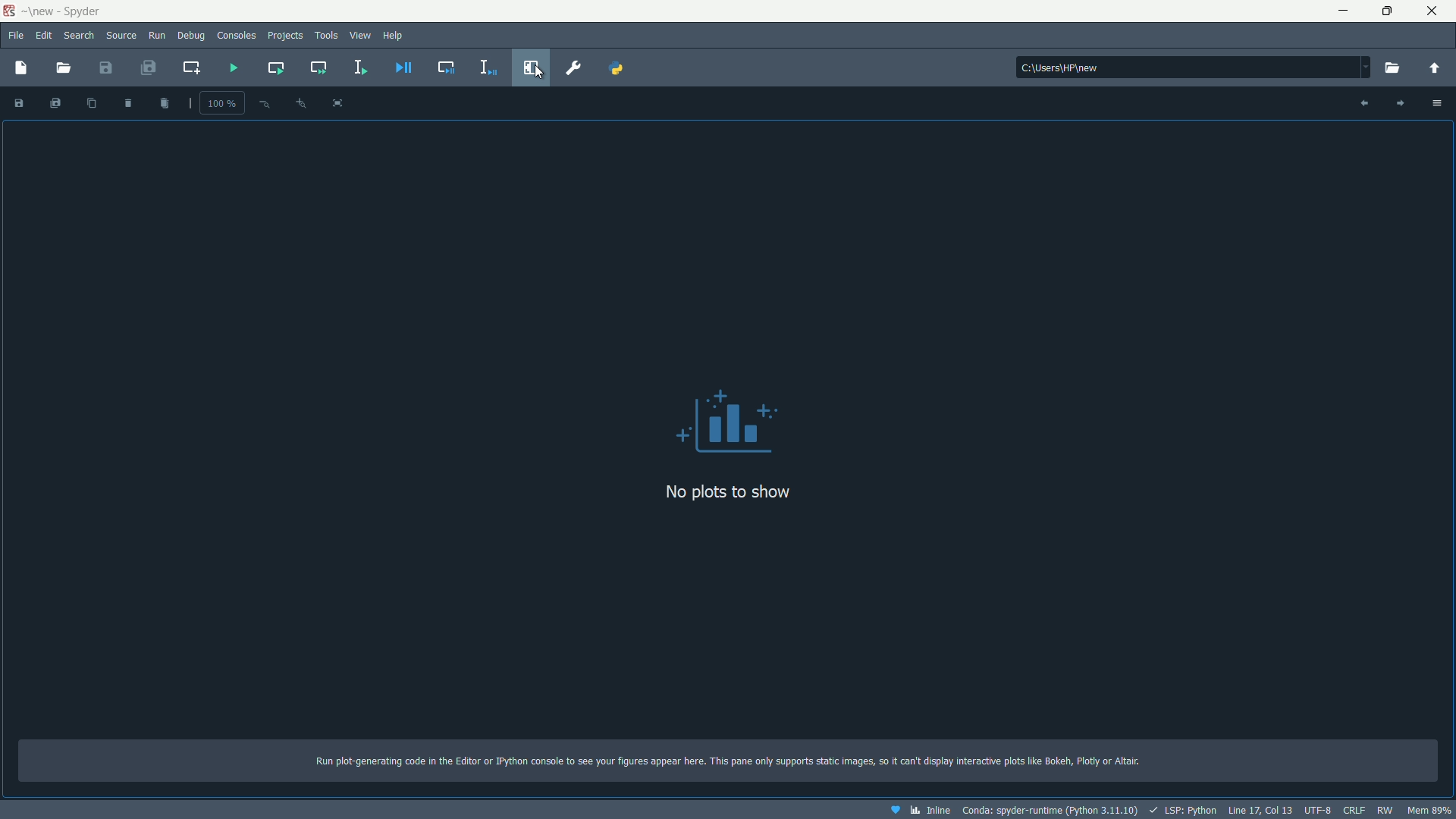  I want to click on rw, so click(1384, 810).